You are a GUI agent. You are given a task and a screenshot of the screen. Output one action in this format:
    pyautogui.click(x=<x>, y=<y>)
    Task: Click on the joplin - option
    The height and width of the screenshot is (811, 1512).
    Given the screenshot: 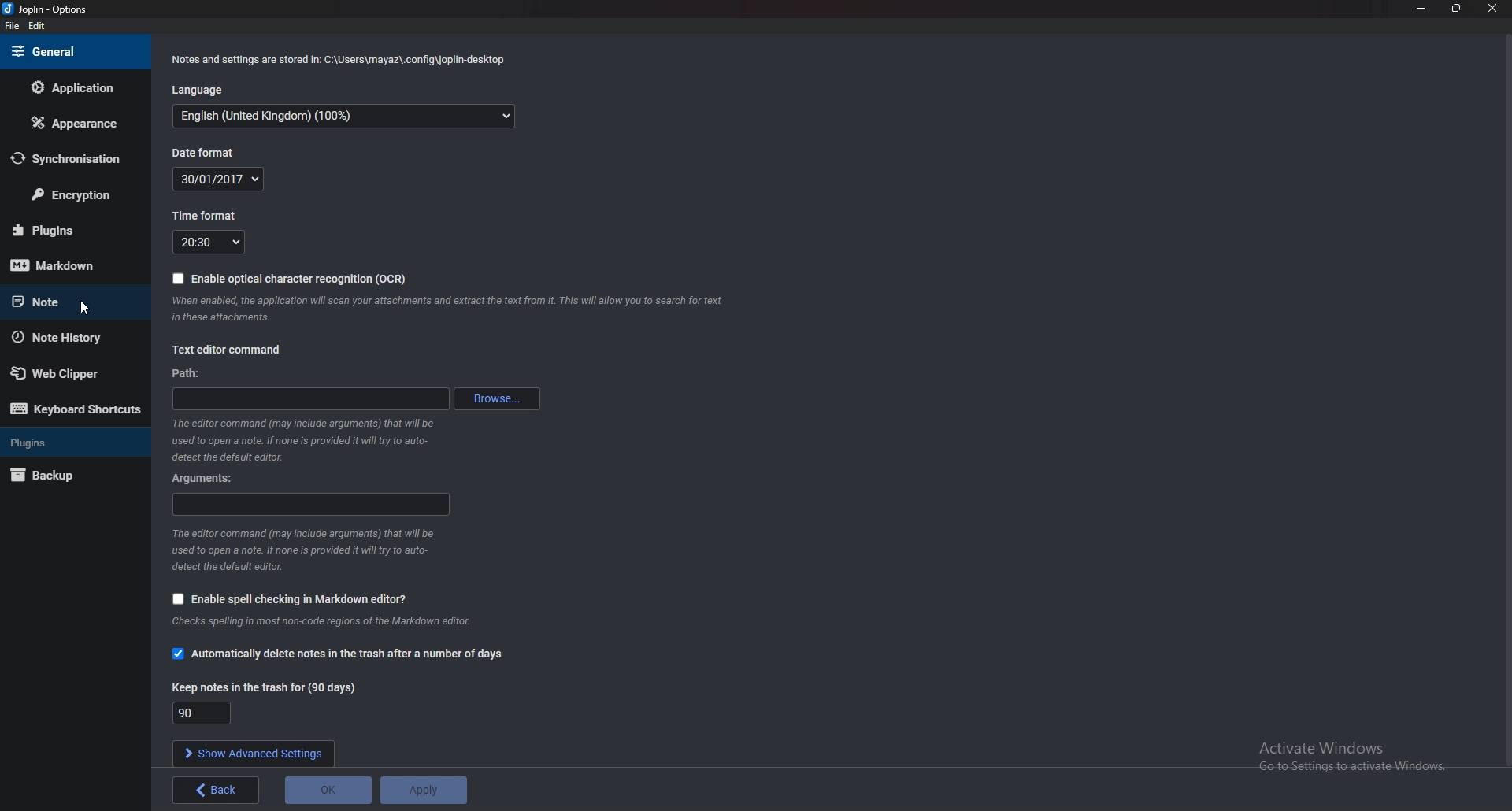 What is the action you would take?
    pyautogui.click(x=48, y=9)
    